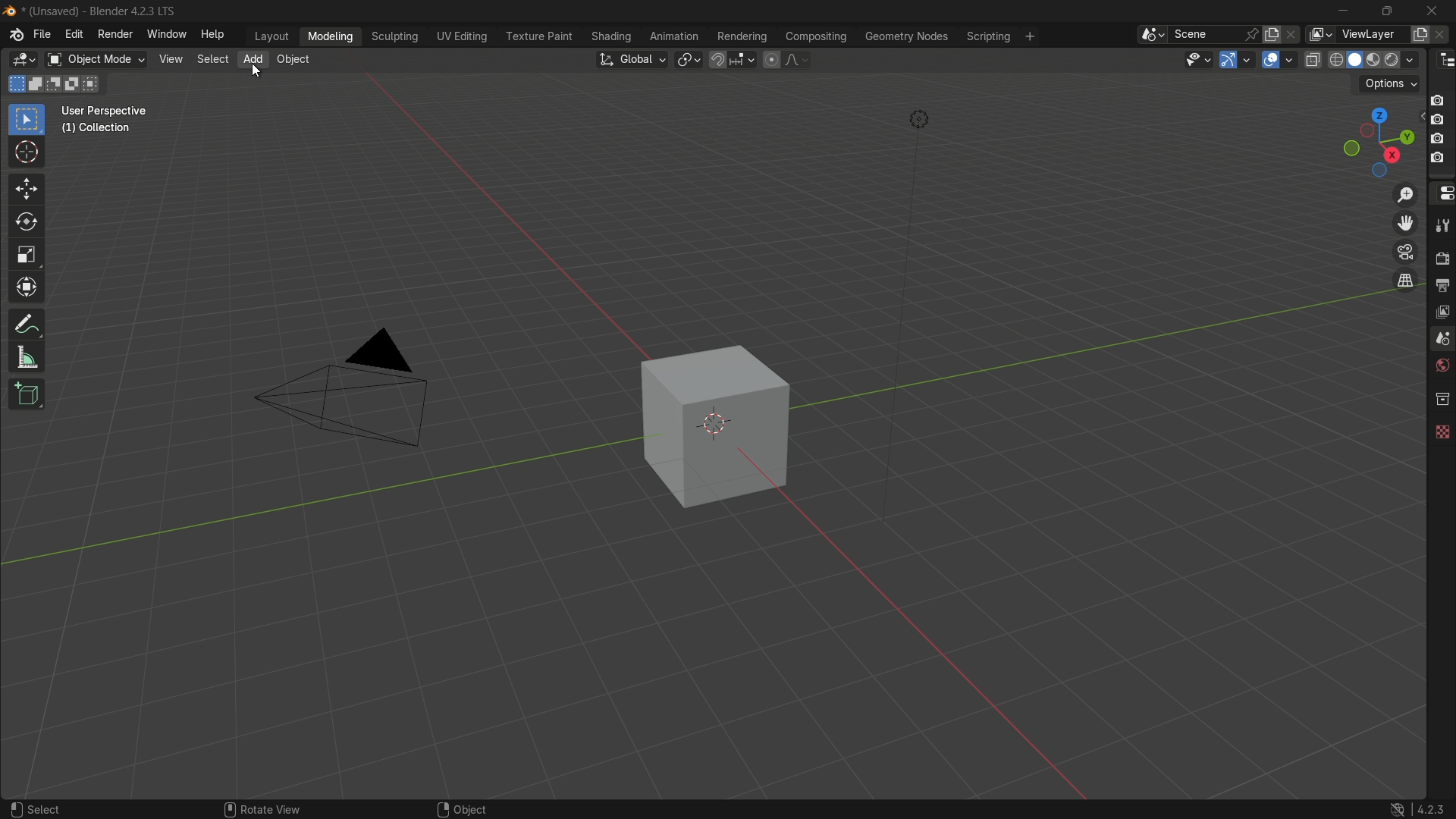 This screenshot has height=819, width=1456. Describe the element at coordinates (814, 36) in the screenshot. I see `compositing menu` at that location.